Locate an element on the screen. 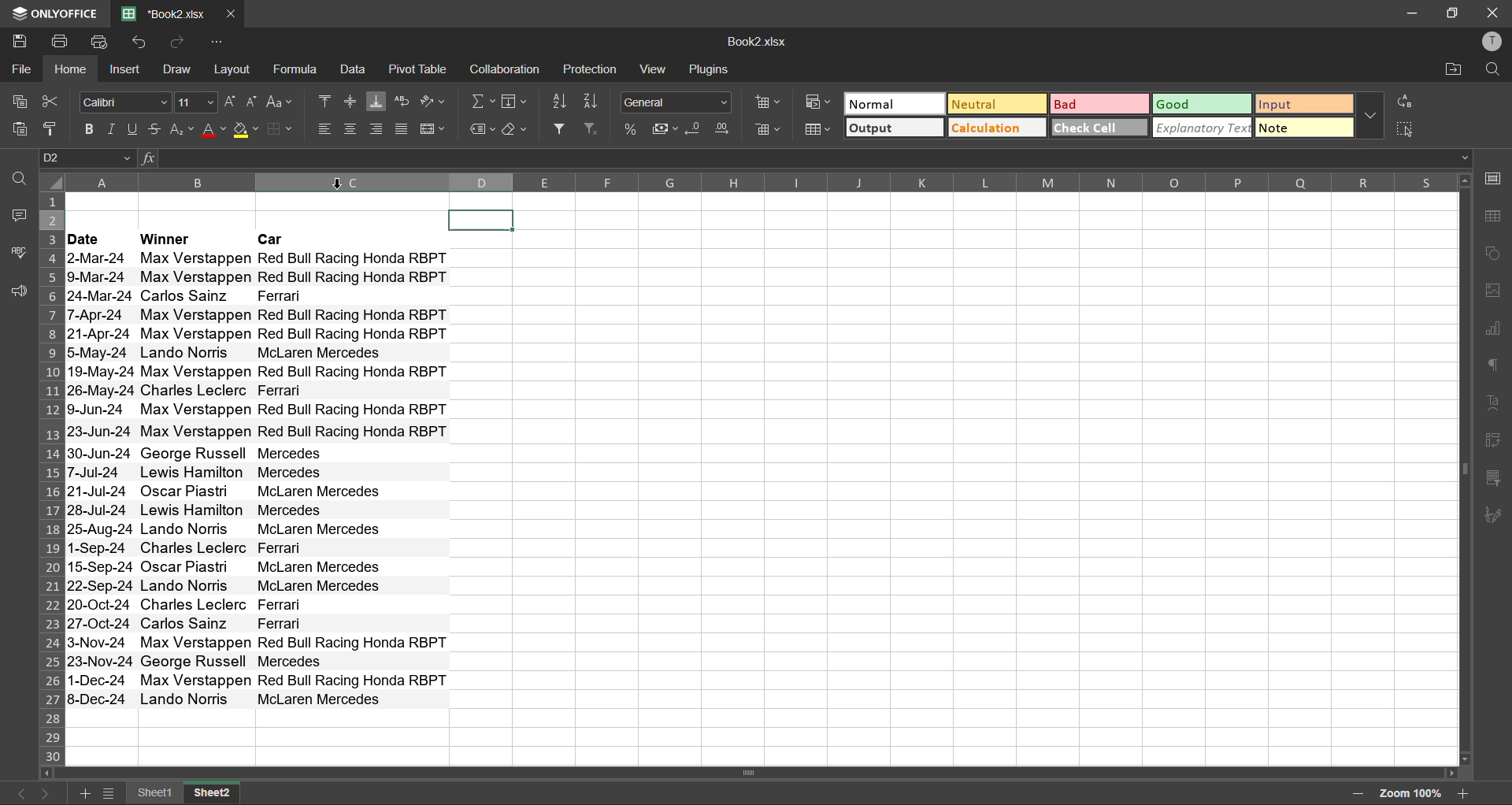 This screenshot has width=1512, height=805. zoom 100% is located at coordinates (1410, 793).